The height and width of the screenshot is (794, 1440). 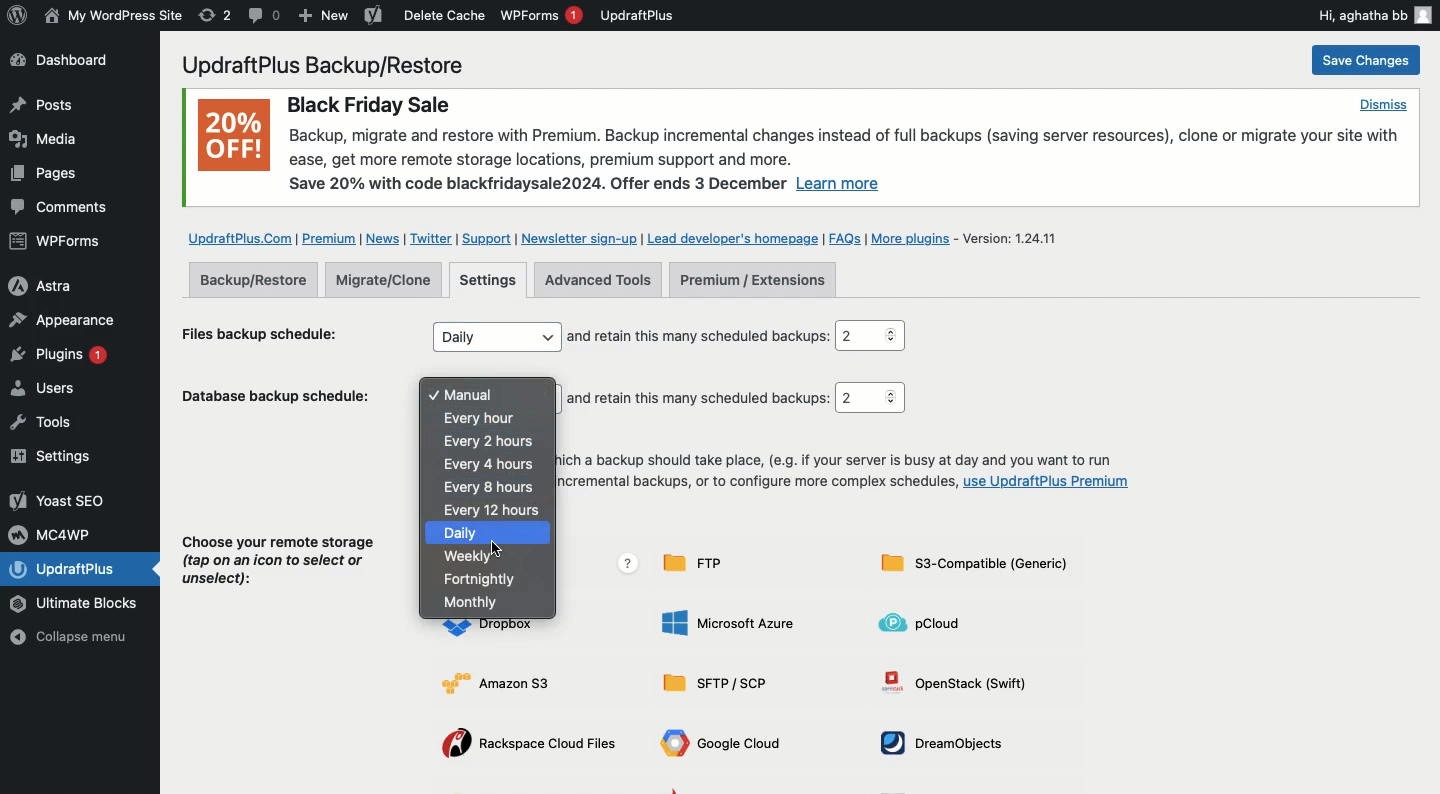 What do you see at coordinates (62, 319) in the screenshot?
I see `Appearance` at bounding box center [62, 319].